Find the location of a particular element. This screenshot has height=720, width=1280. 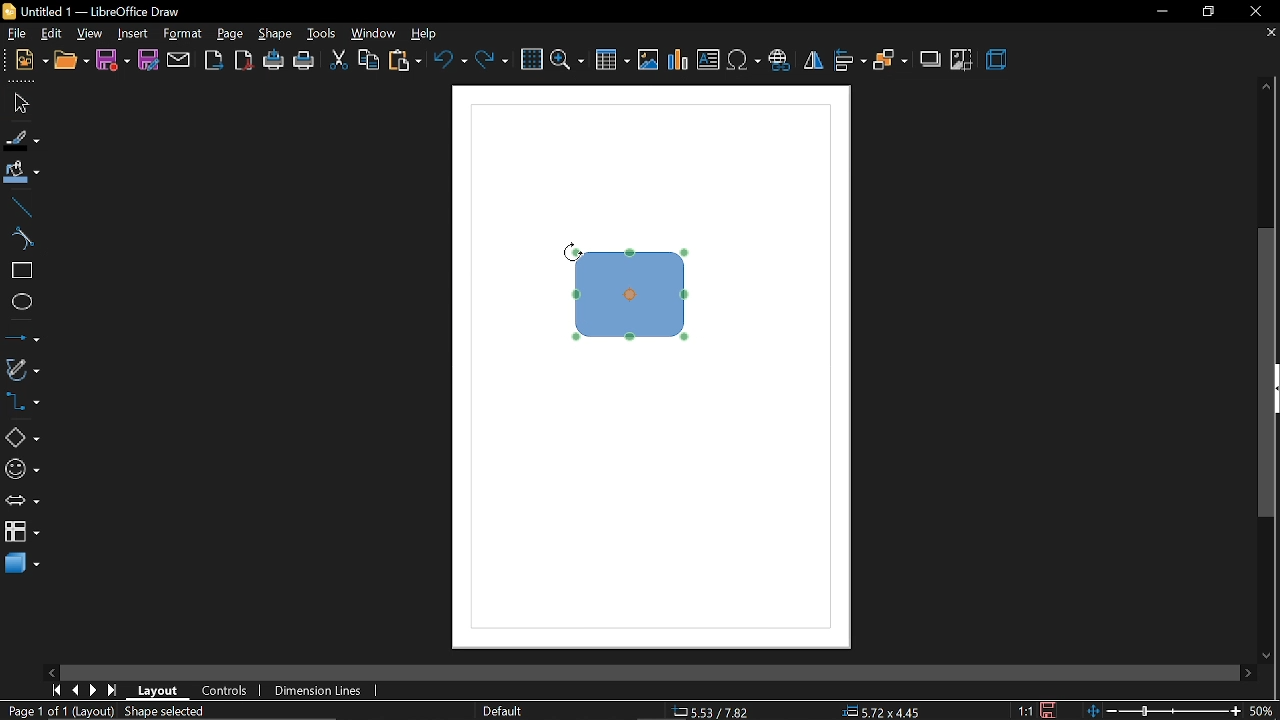

5.72x4.45 is located at coordinates (885, 712).